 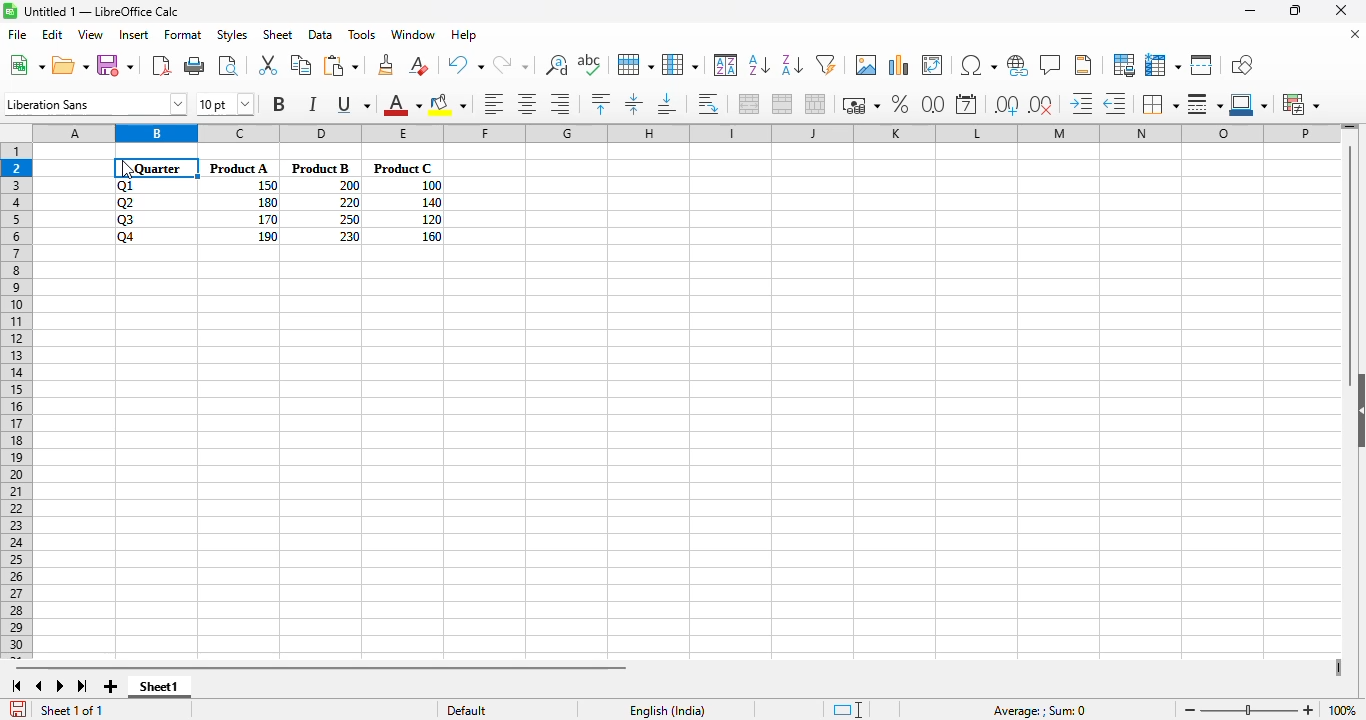 What do you see at coordinates (666, 710) in the screenshot?
I see `English (India)` at bounding box center [666, 710].